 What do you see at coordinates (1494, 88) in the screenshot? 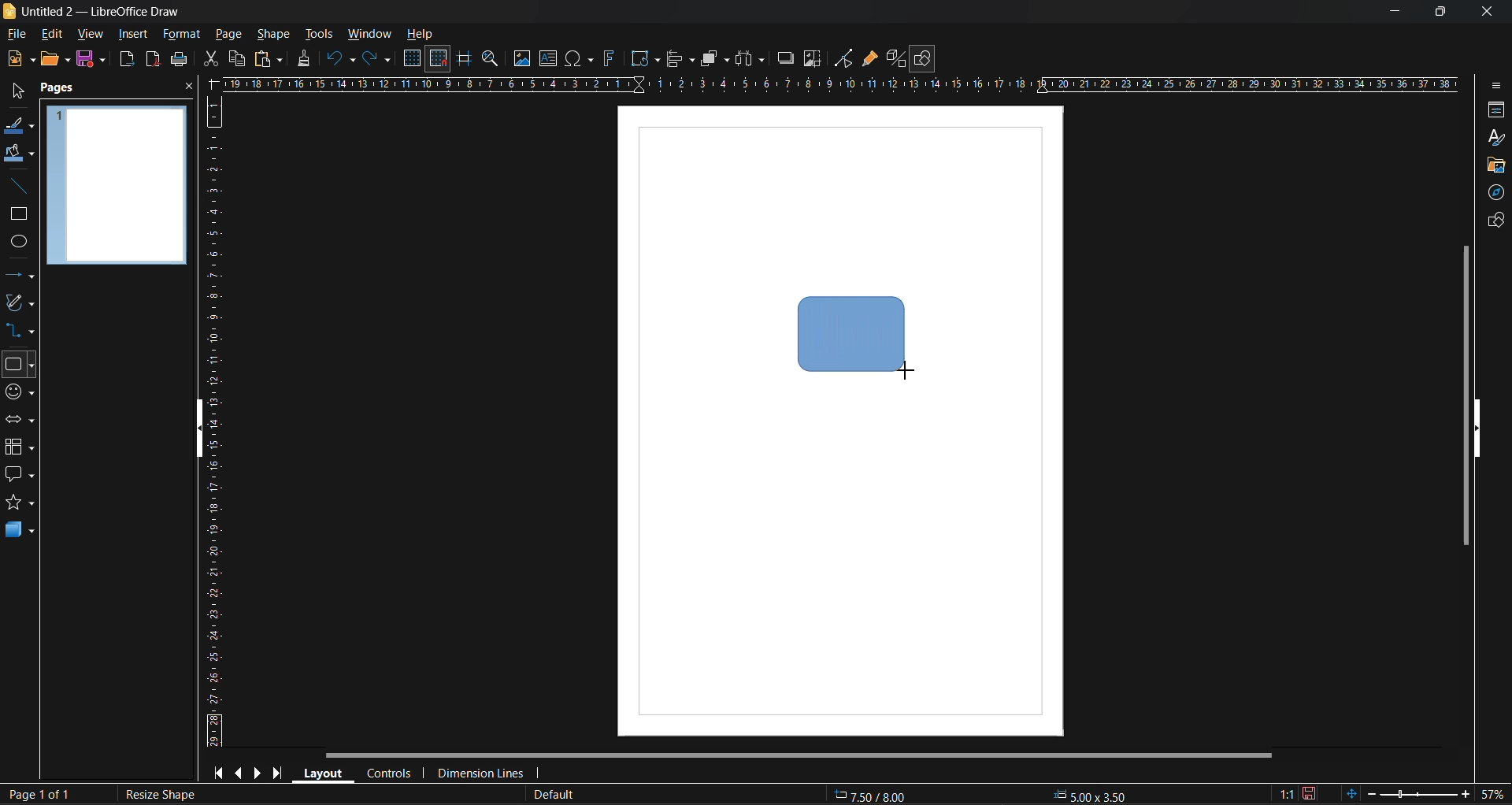
I see `sidebar` at bounding box center [1494, 88].